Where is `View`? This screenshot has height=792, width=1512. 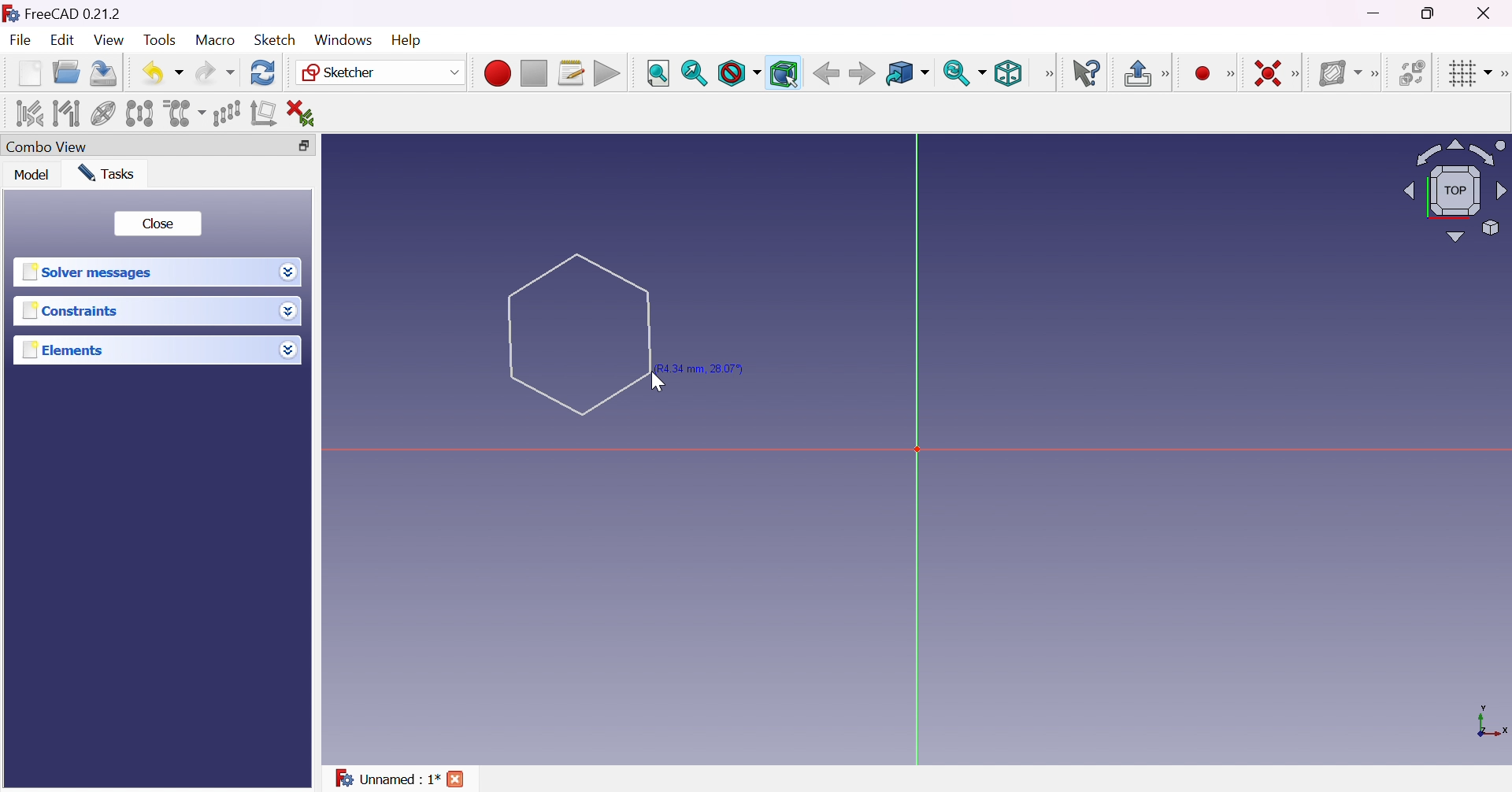 View is located at coordinates (109, 40).